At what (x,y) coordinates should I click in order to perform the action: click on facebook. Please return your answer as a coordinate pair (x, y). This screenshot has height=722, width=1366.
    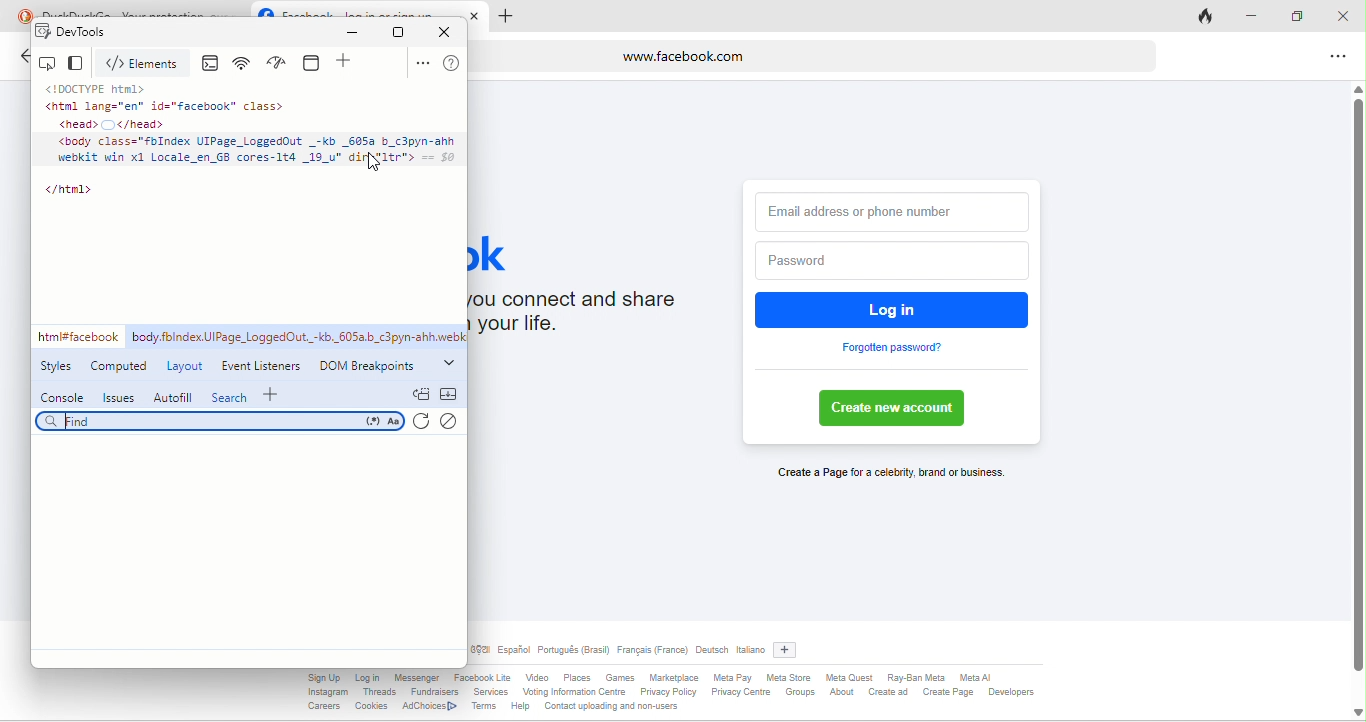
    Looking at the image, I should click on (506, 252).